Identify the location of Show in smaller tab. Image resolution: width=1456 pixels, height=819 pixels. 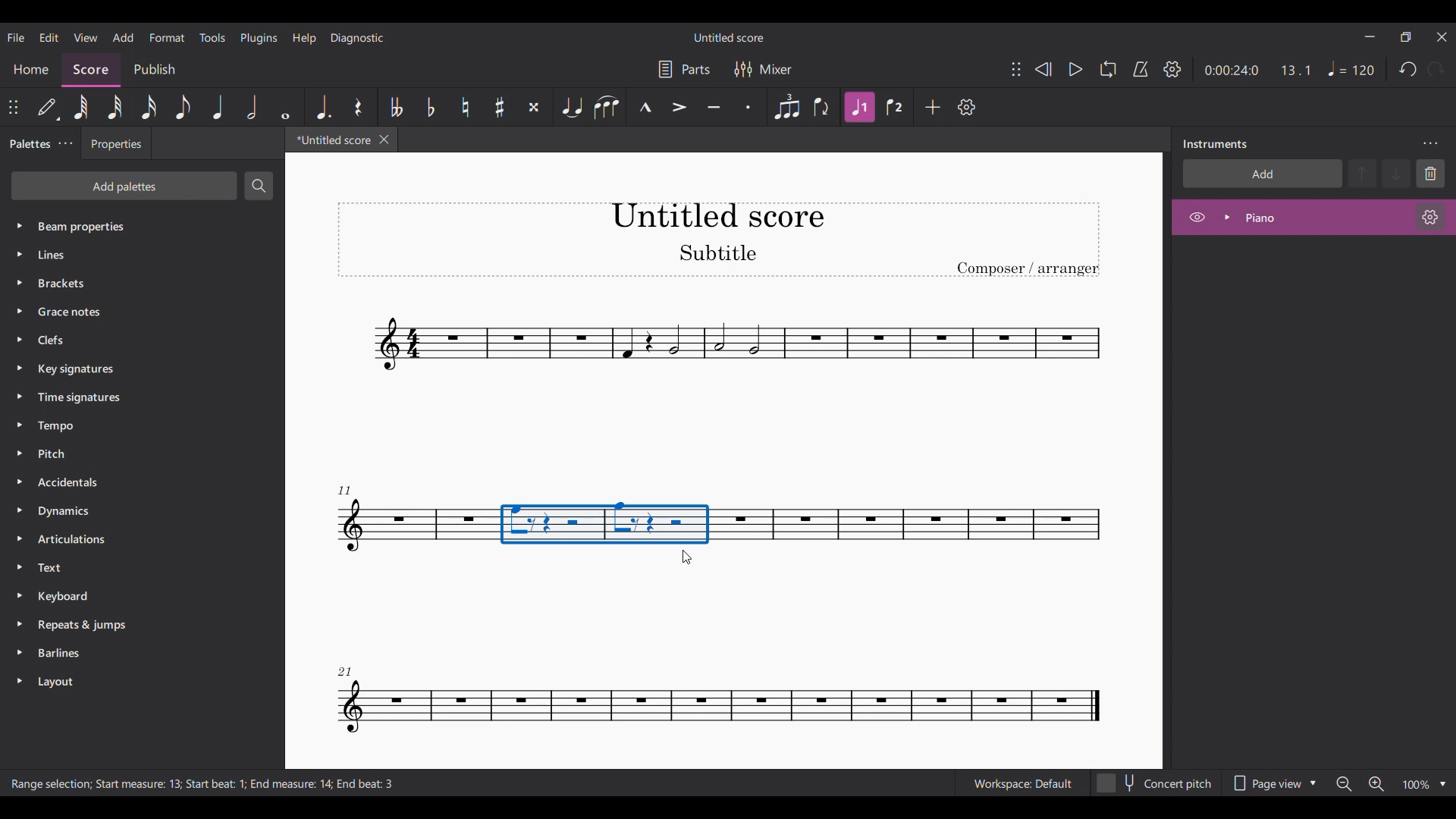
(1405, 36).